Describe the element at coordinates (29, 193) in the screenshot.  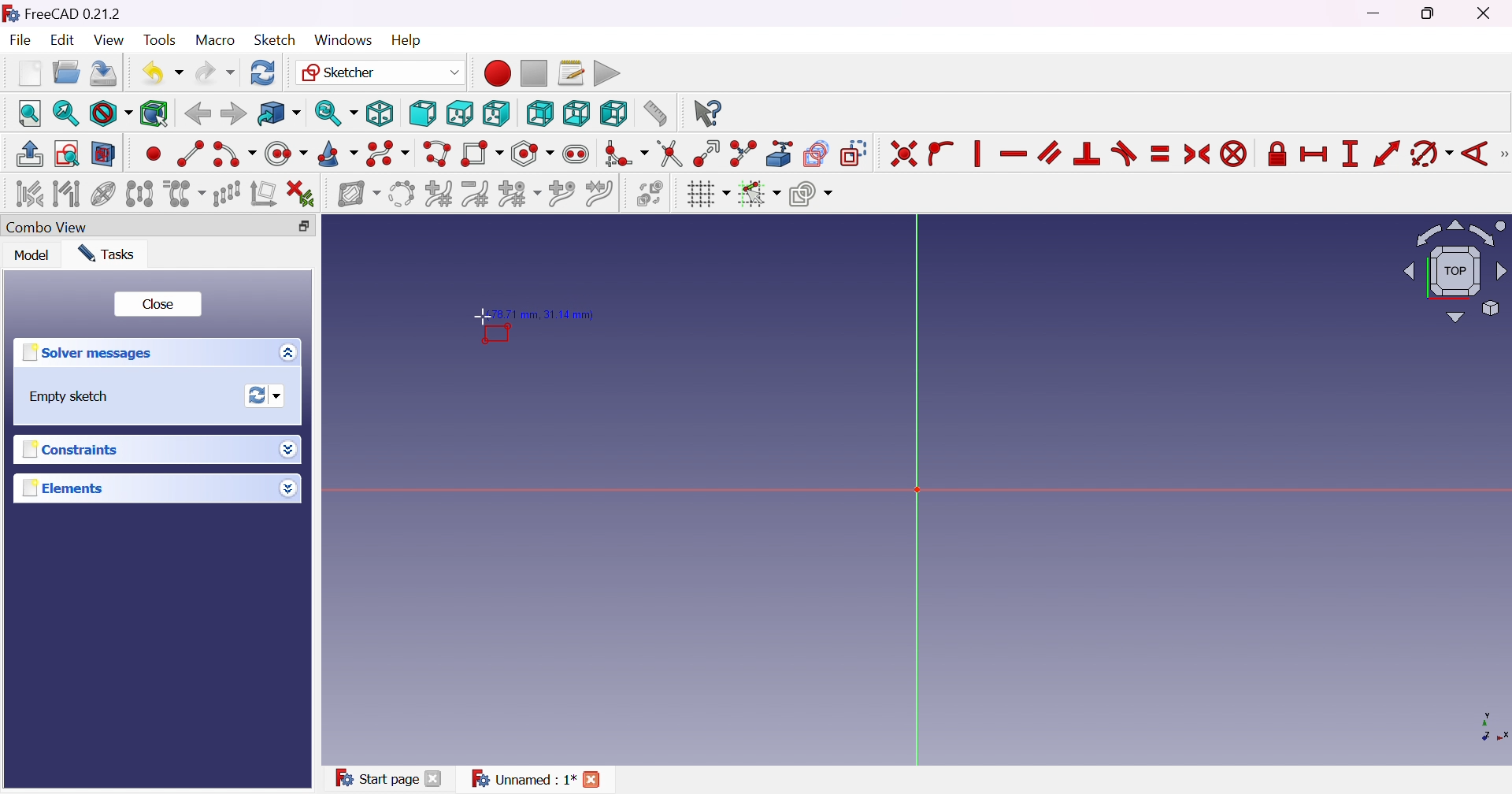
I see `Select associated constraints` at that location.